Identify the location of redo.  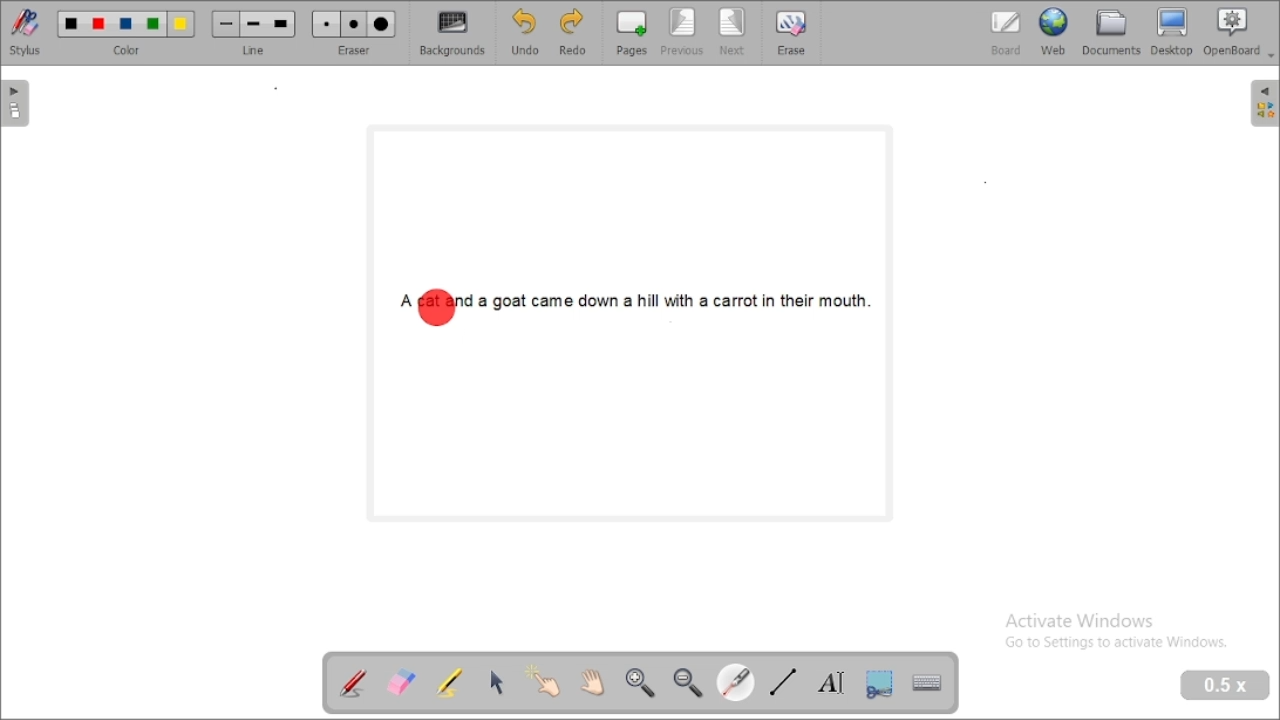
(573, 34).